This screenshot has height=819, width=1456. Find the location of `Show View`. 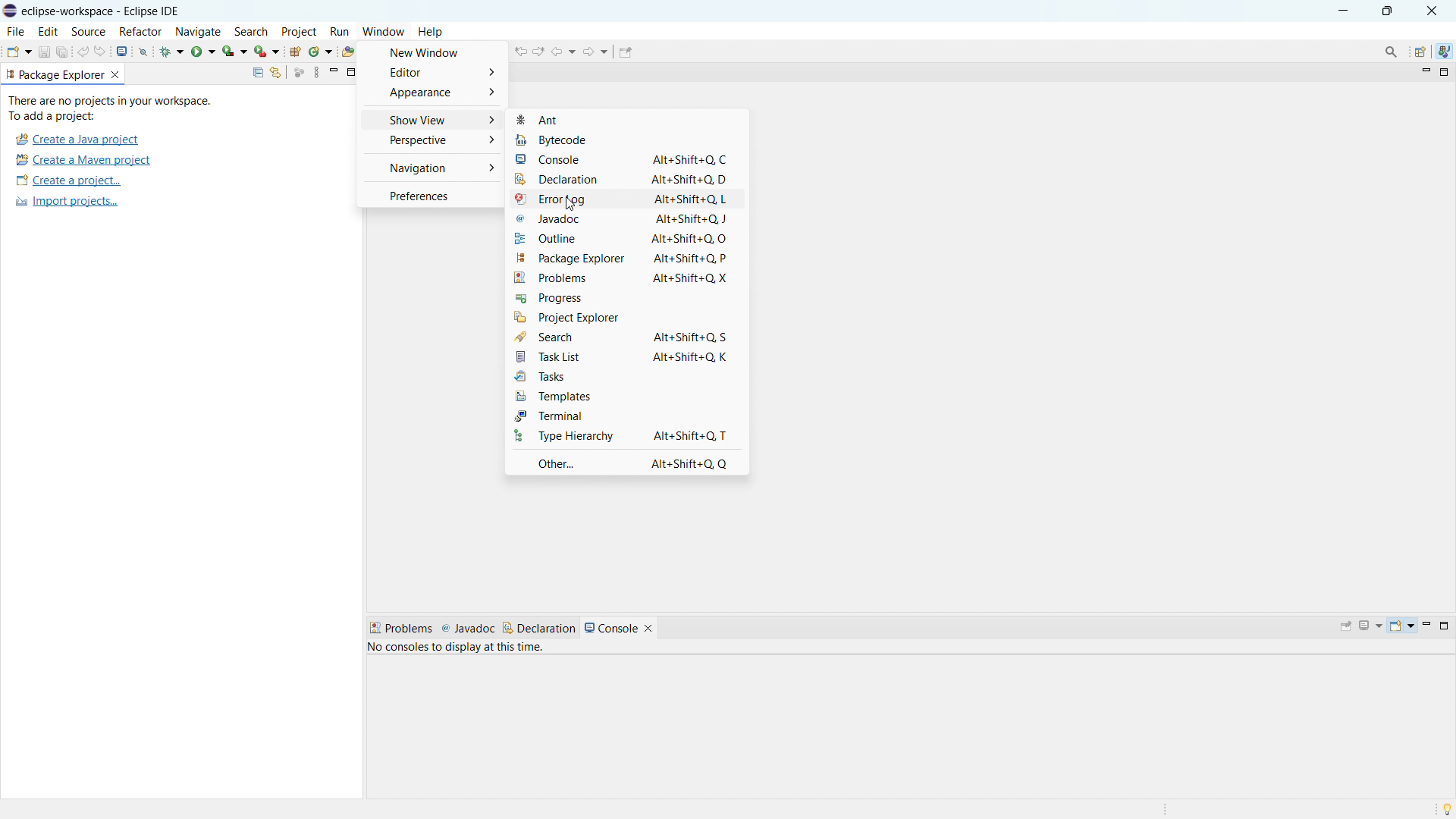

Show View is located at coordinates (439, 121).